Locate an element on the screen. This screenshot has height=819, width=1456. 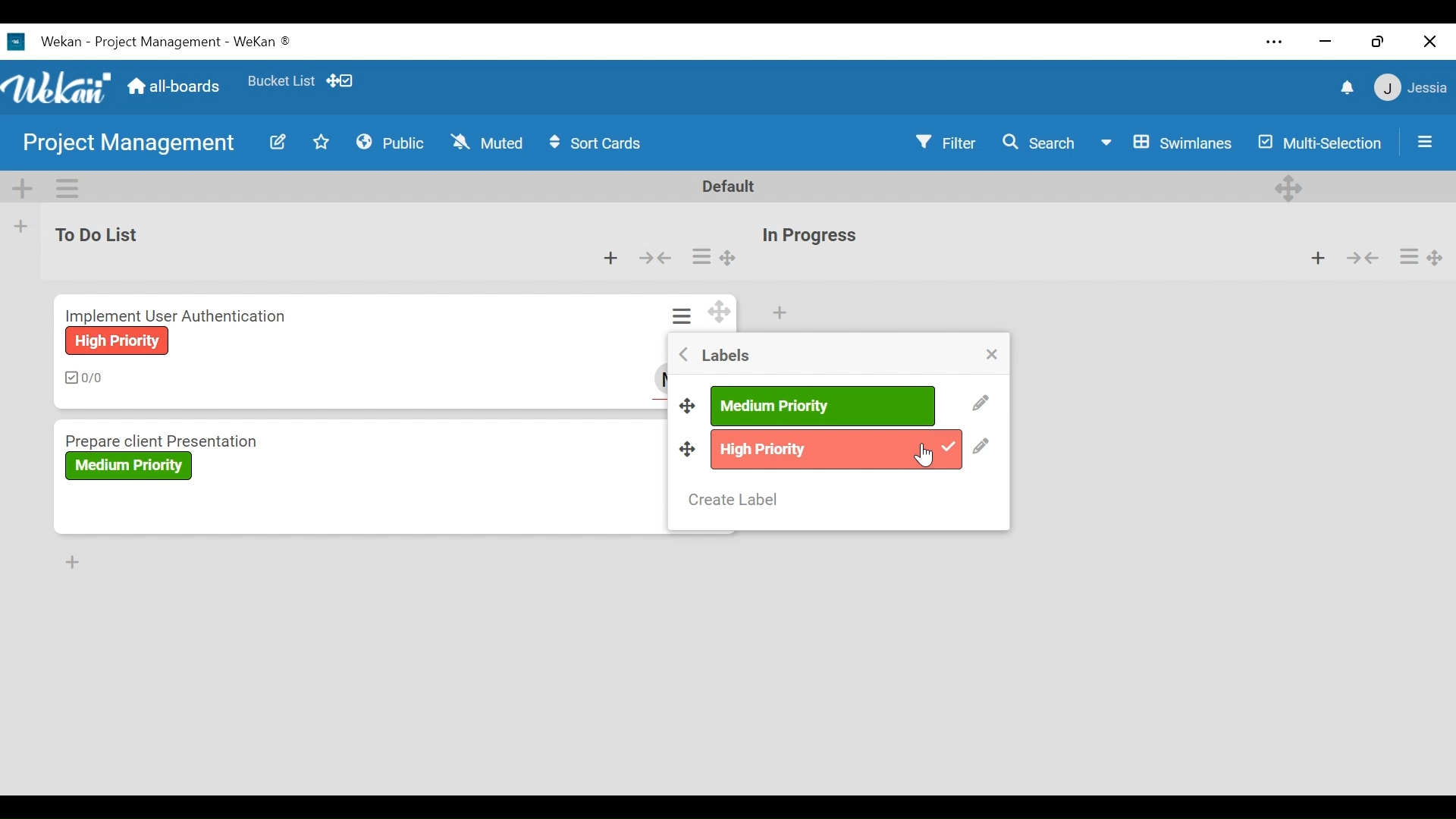
close is located at coordinates (1429, 42).